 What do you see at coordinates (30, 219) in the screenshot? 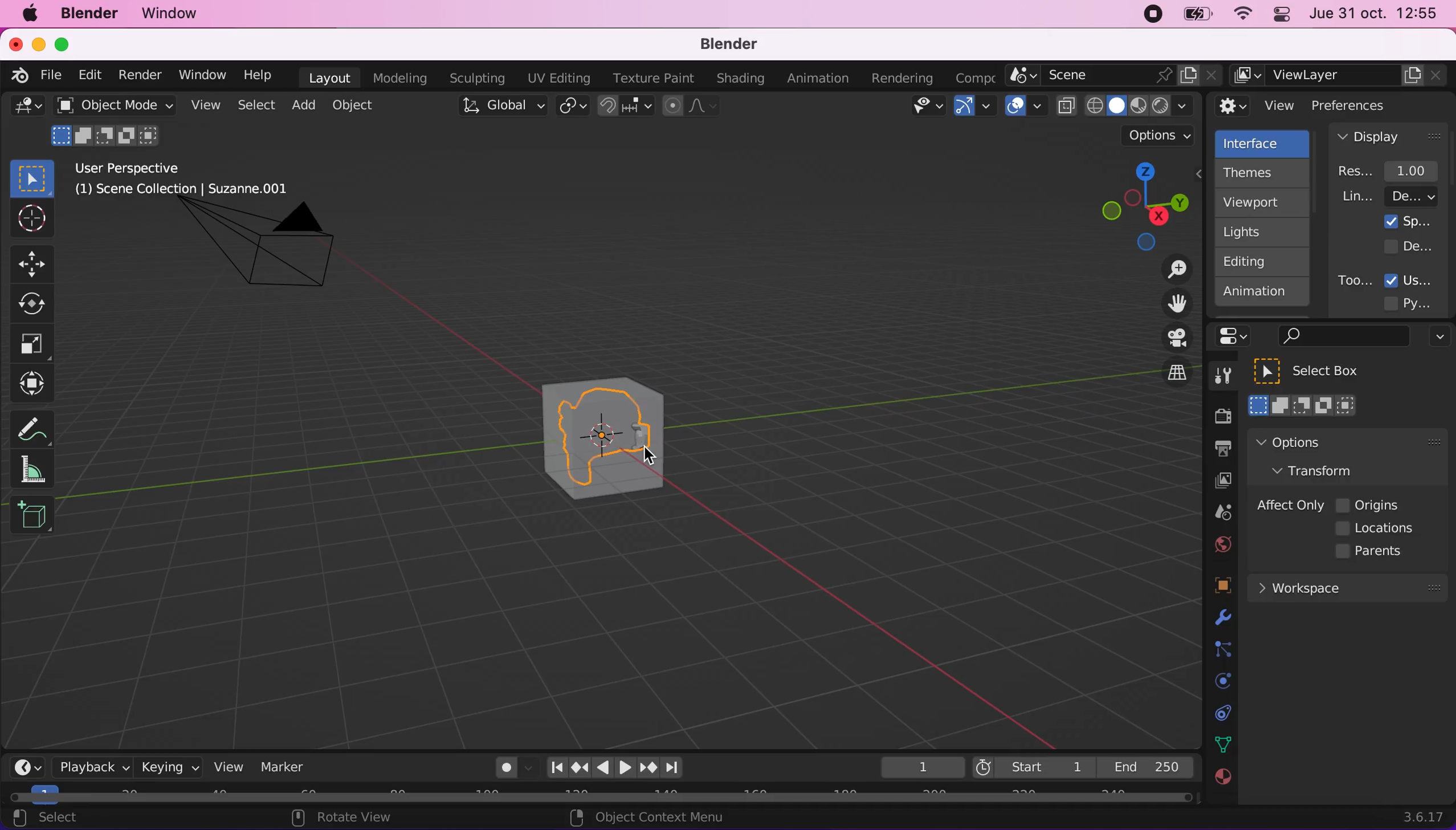
I see `` at bounding box center [30, 219].